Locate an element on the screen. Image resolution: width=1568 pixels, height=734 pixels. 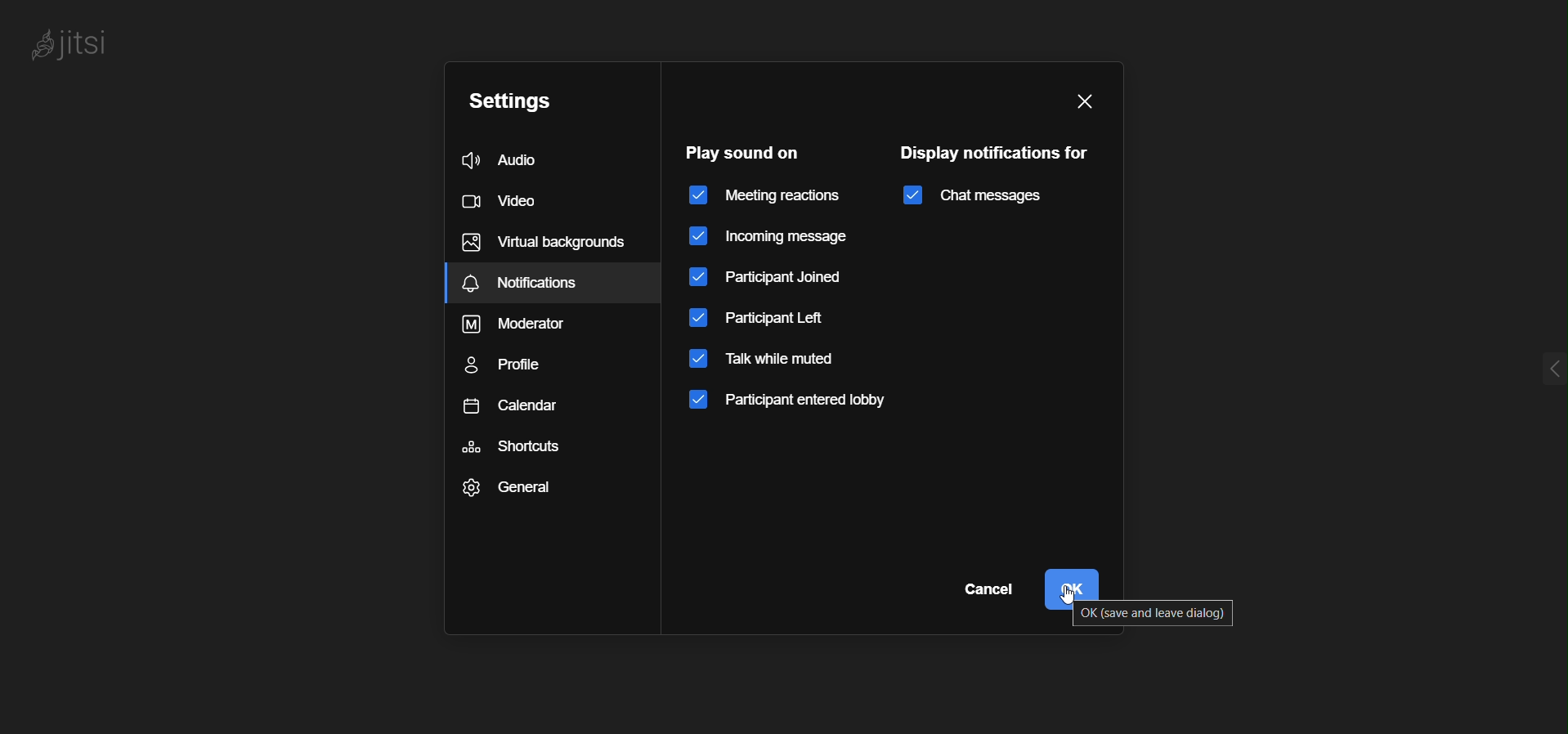
general is located at coordinates (507, 490).